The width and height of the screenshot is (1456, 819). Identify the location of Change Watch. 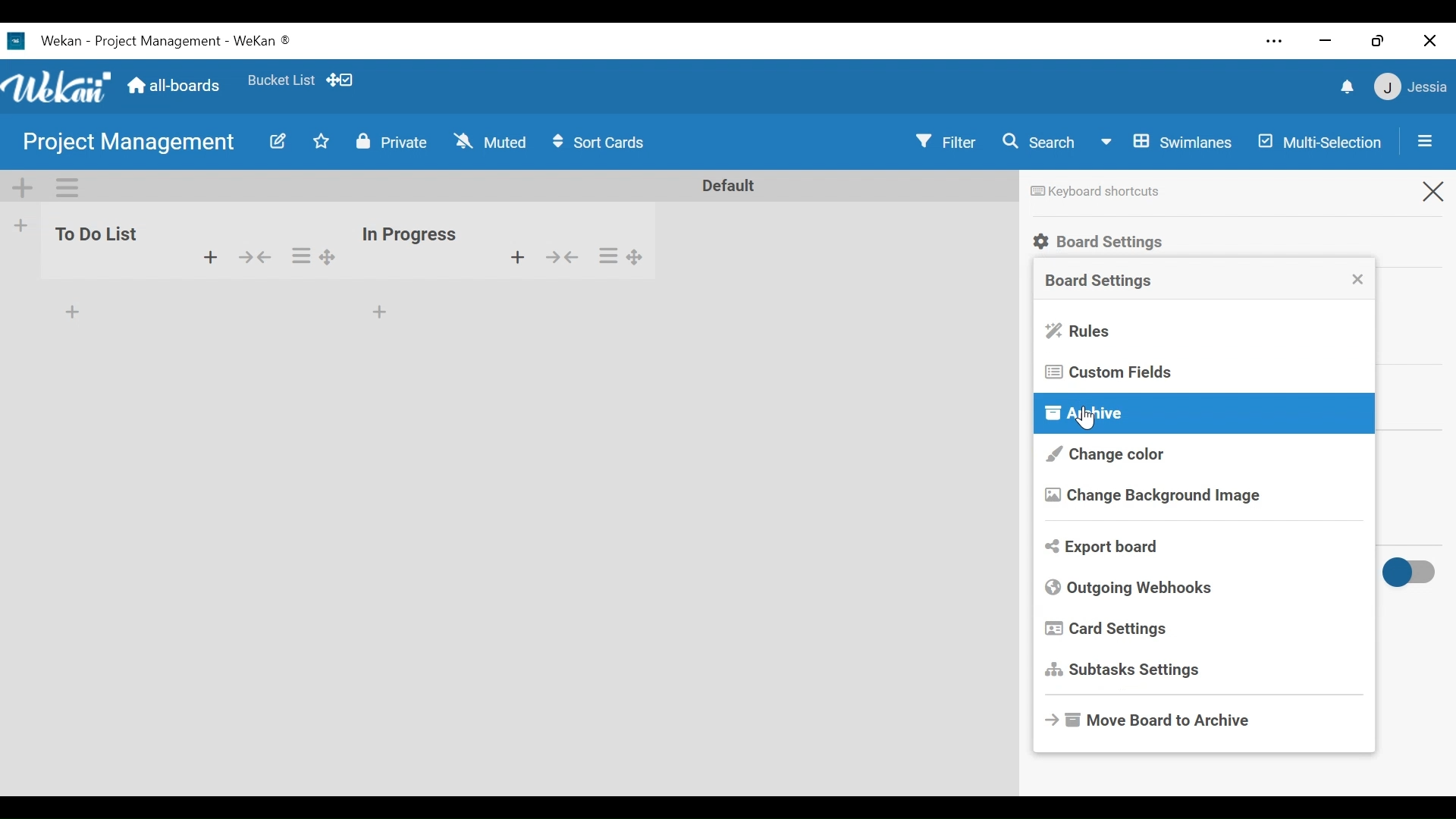
(493, 141).